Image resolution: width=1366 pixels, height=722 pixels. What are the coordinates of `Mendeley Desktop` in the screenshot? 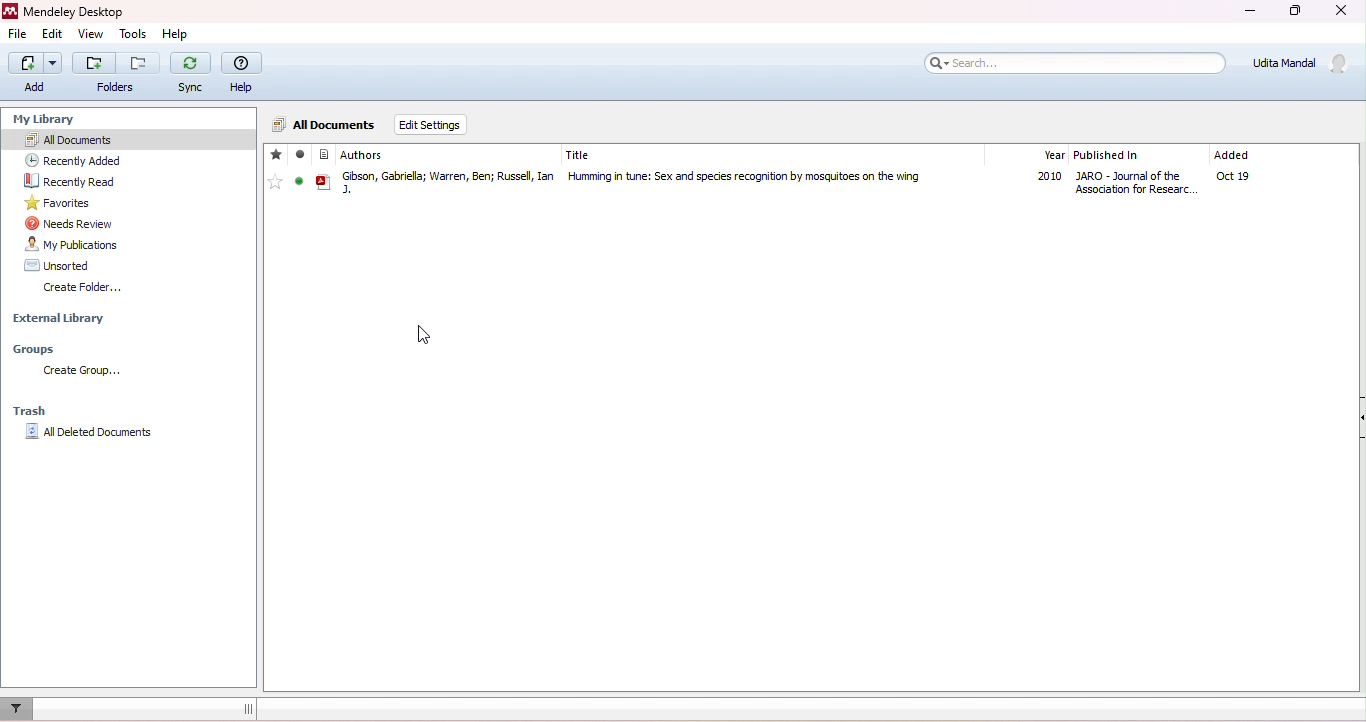 It's located at (73, 12).